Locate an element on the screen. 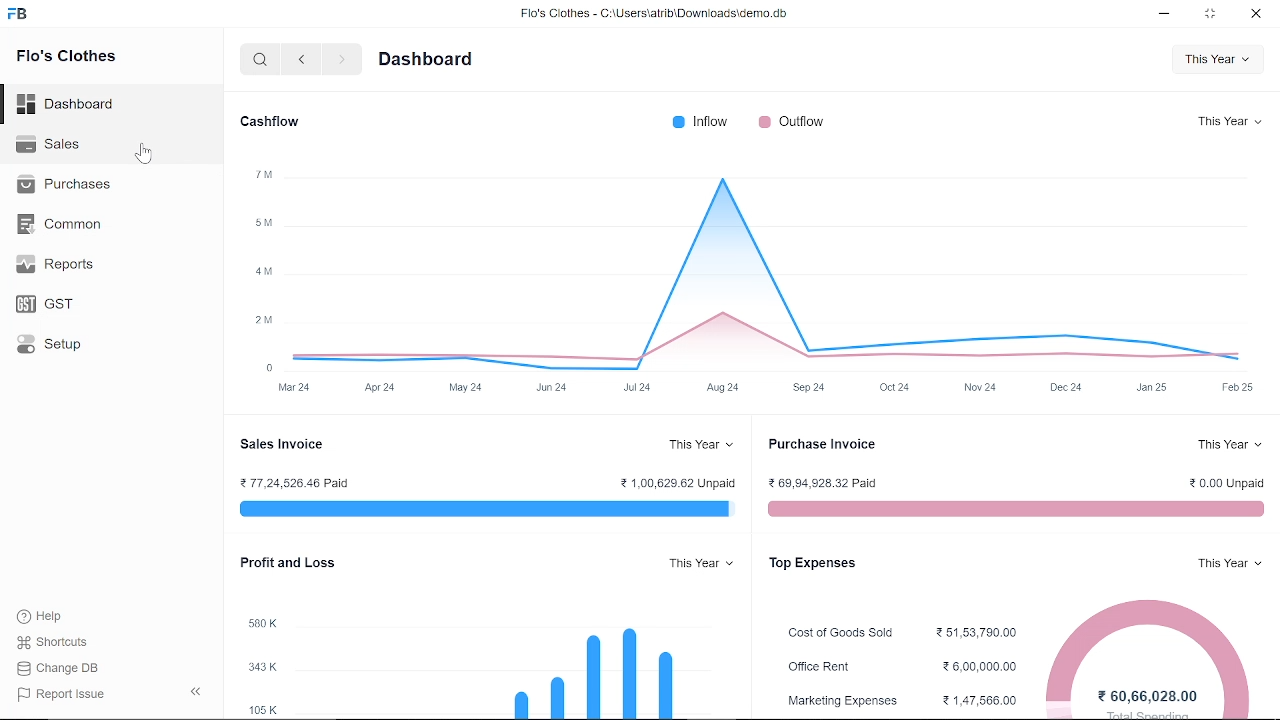 The image size is (1280, 720). Graph is located at coordinates (770, 268).